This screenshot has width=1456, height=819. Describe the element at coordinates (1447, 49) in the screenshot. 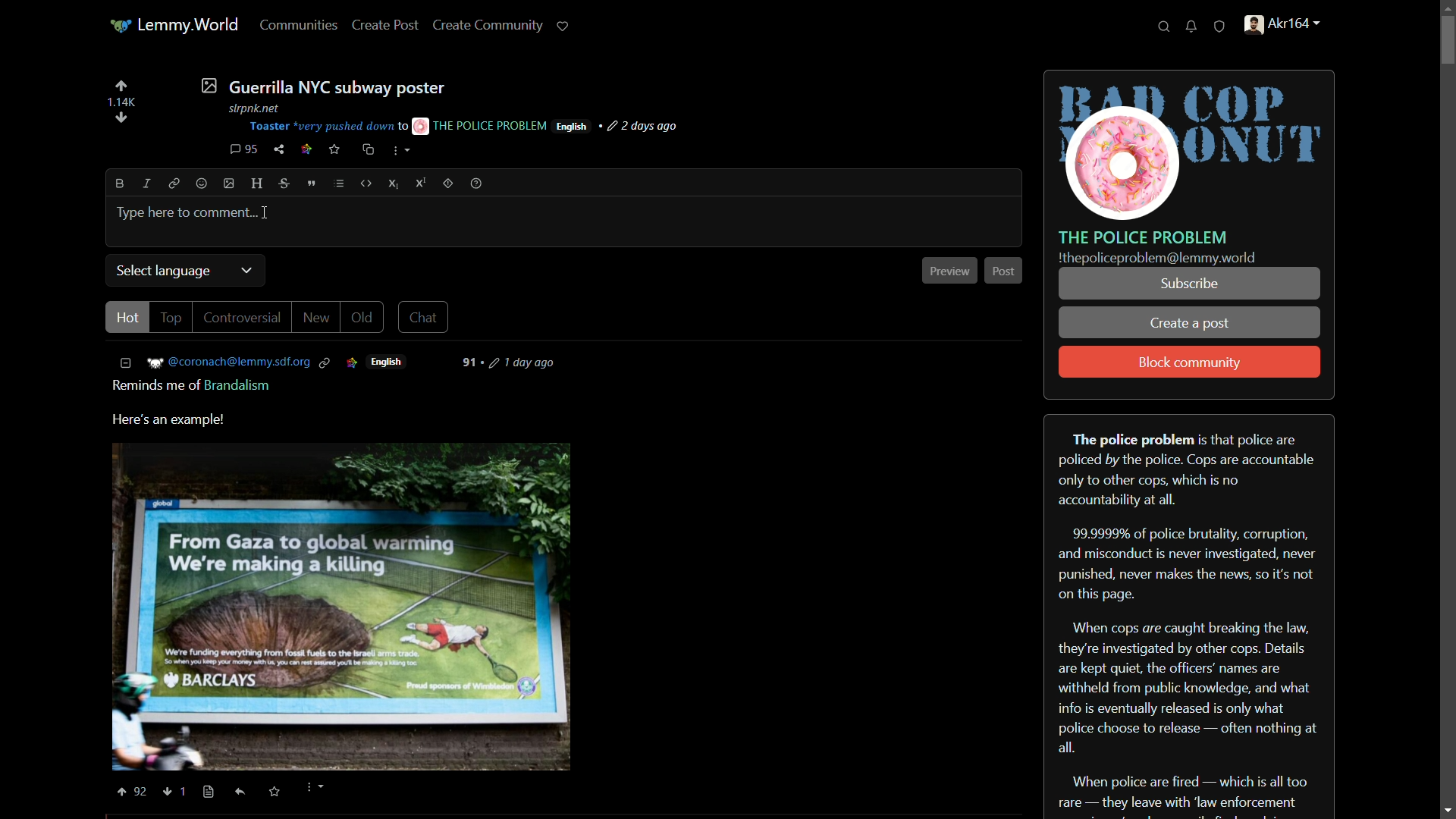

I see `` at that location.